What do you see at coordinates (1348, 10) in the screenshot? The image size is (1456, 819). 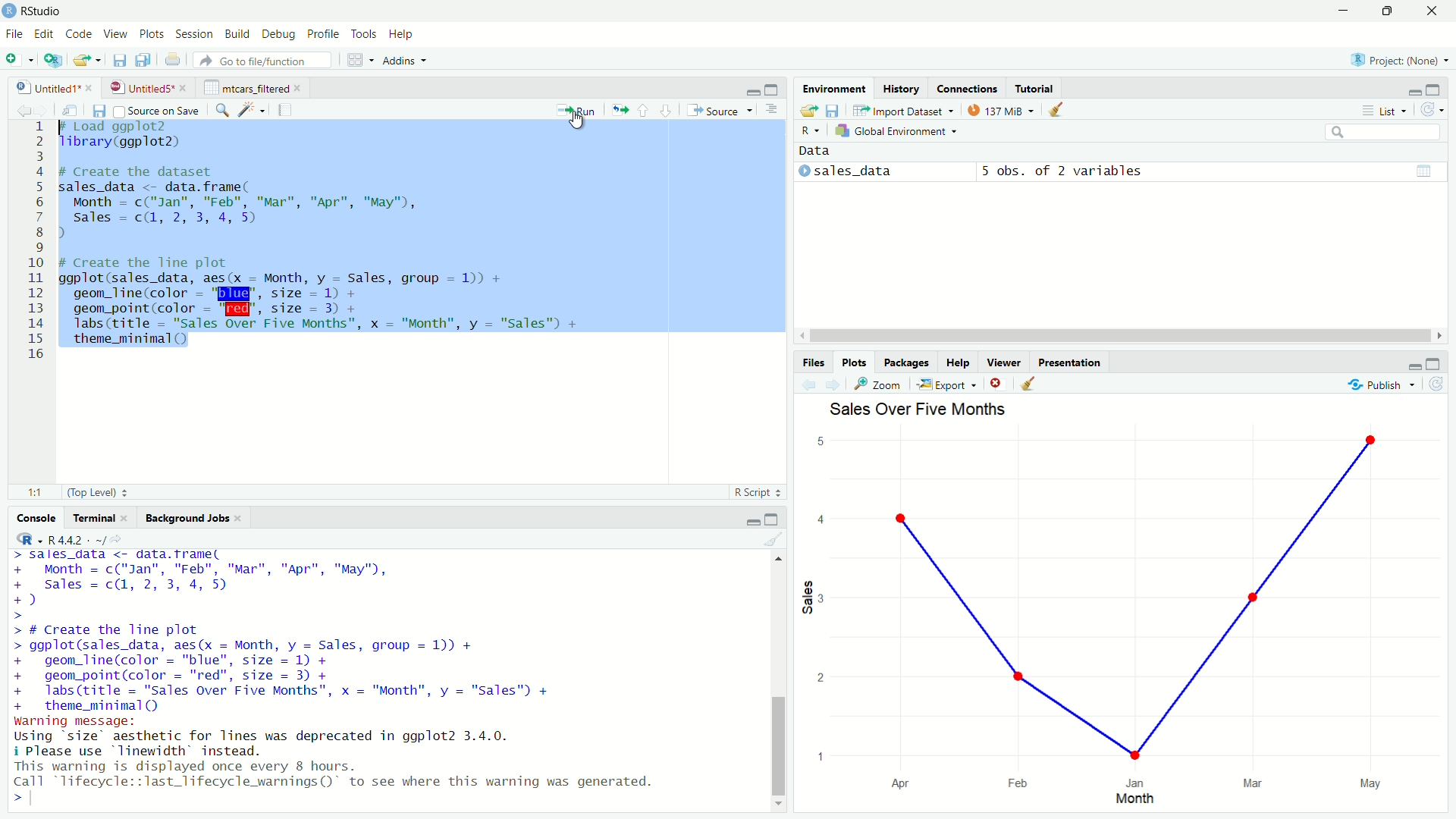 I see `minimize` at bounding box center [1348, 10].